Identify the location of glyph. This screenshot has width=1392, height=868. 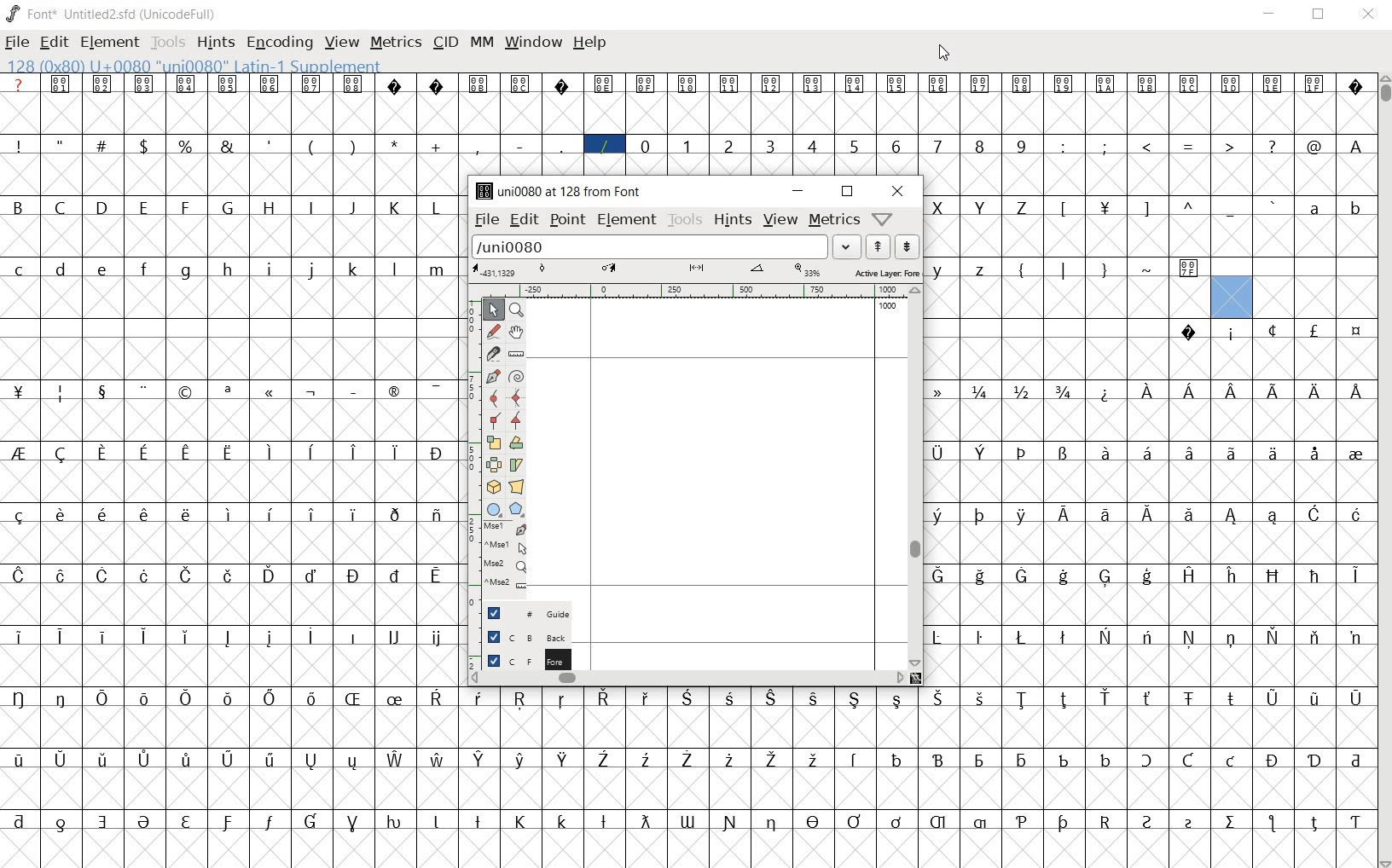
(1356, 89).